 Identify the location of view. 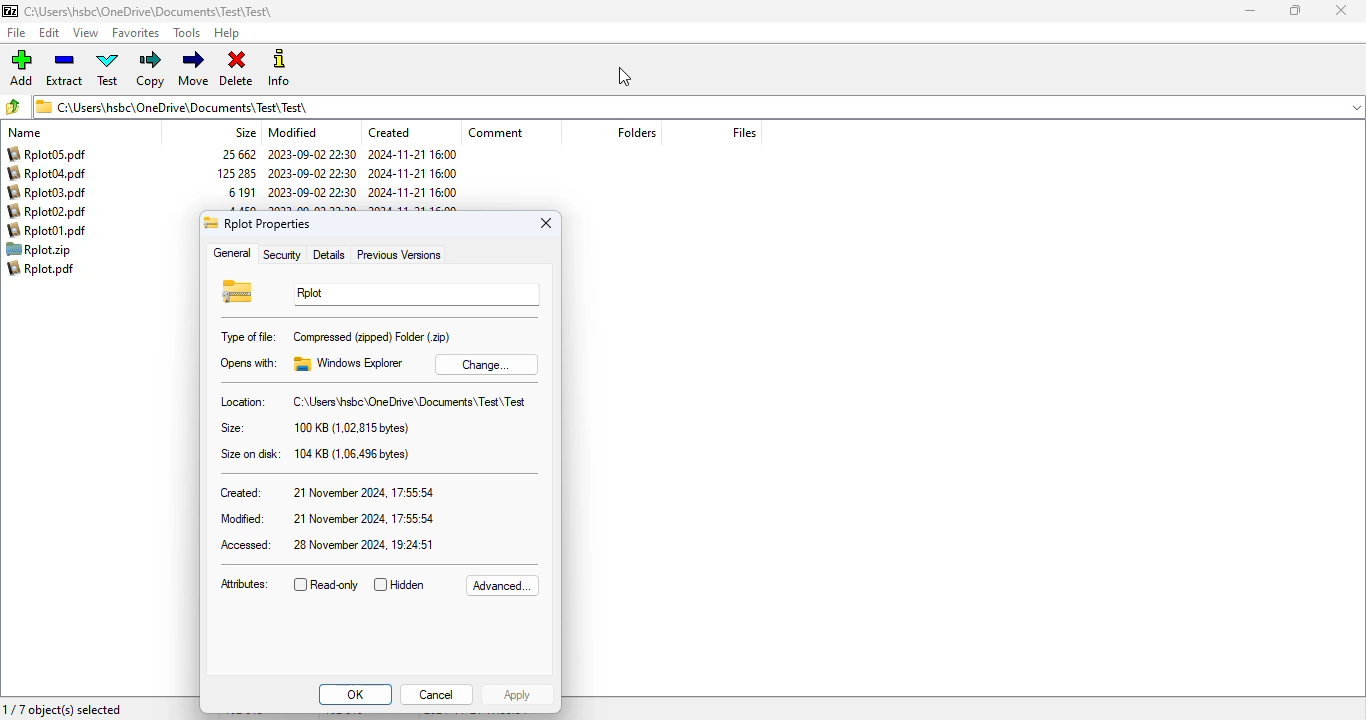
(85, 33).